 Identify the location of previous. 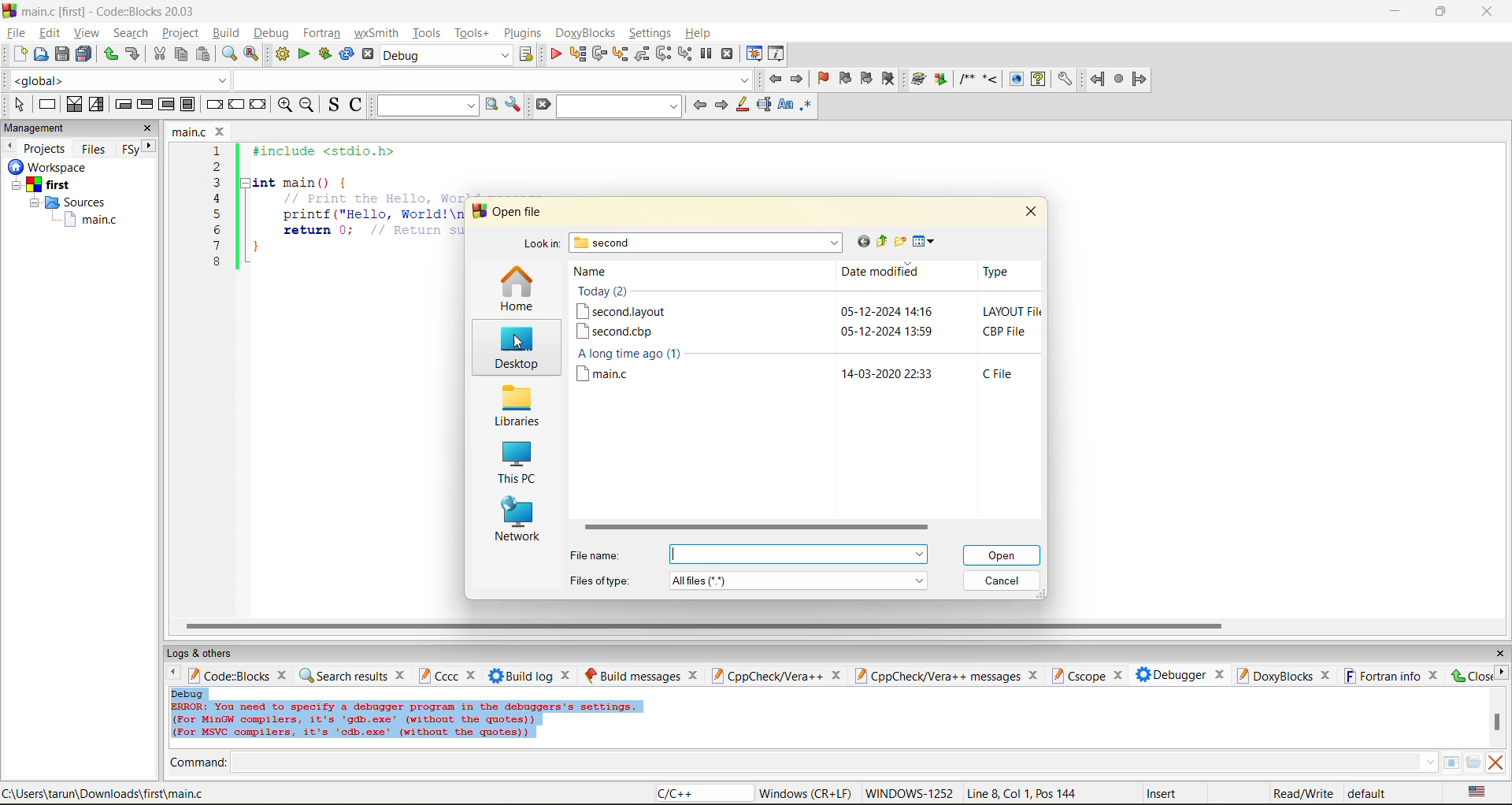
(9, 146).